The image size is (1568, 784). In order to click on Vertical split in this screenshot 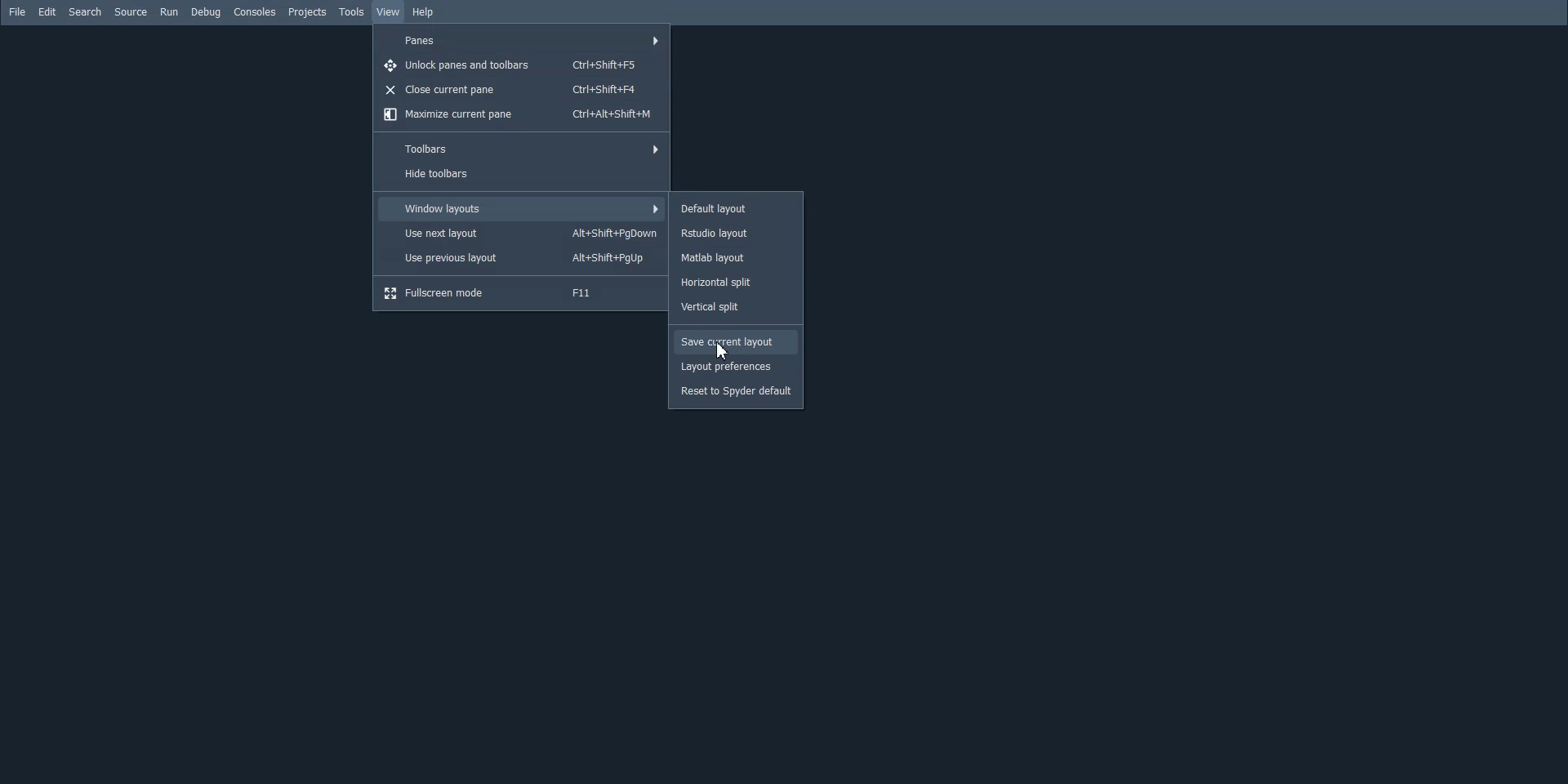, I will do `click(736, 305)`.